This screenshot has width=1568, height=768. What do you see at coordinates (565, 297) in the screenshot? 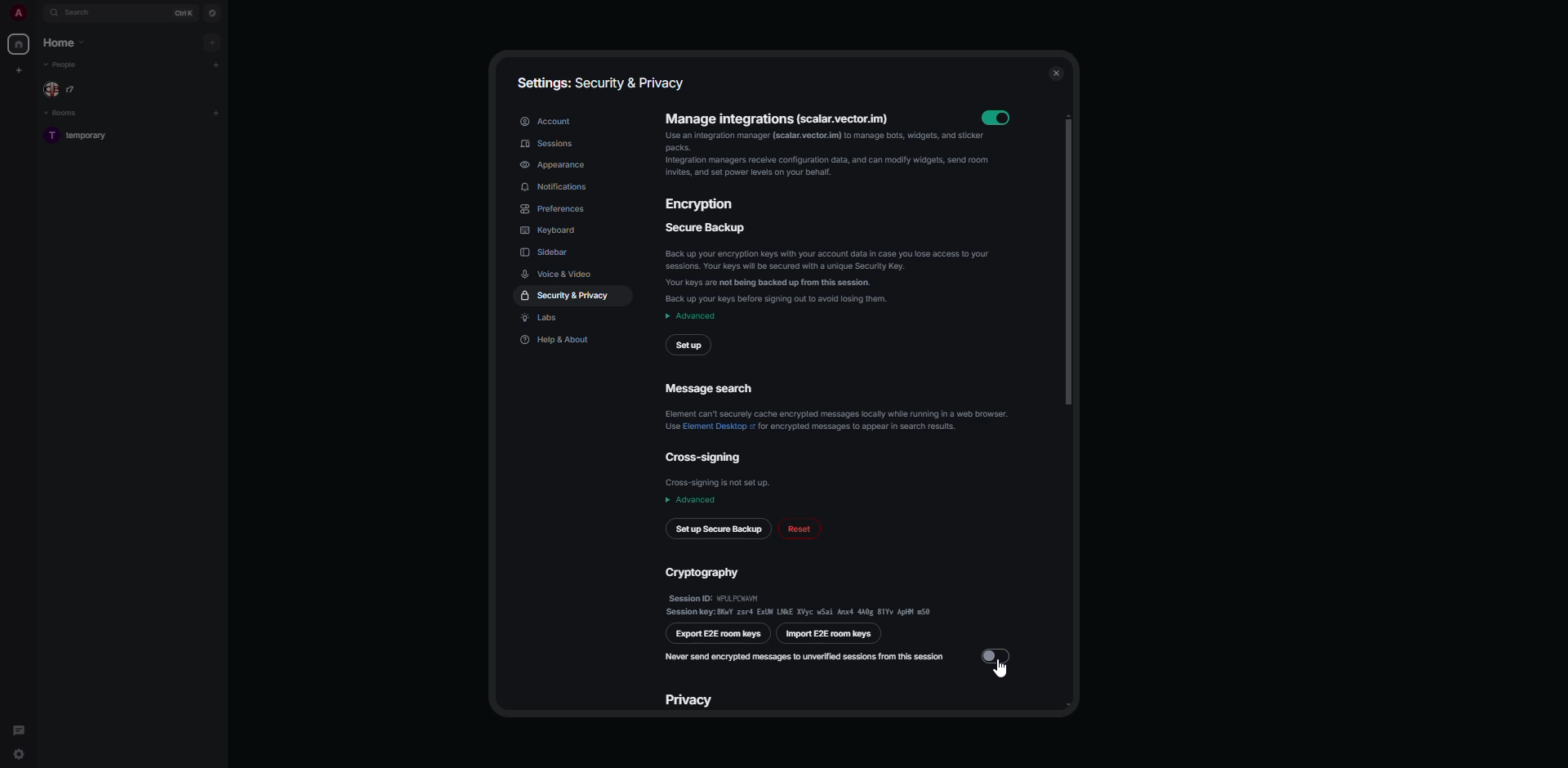
I see `security & privacy` at bounding box center [565, 297].